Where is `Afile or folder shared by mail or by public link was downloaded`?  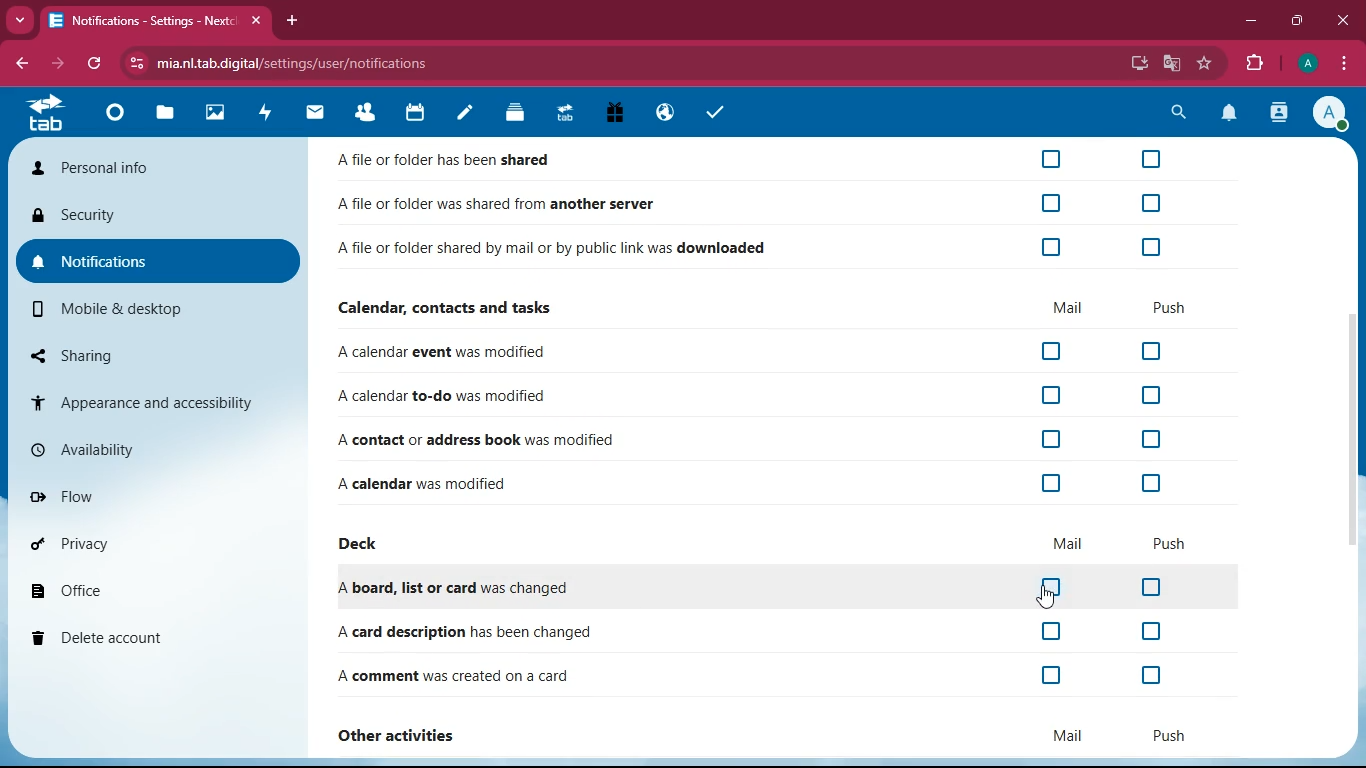
Afile or folder shared by mail or by public link was downloaded is located at coordinates (552, 245).